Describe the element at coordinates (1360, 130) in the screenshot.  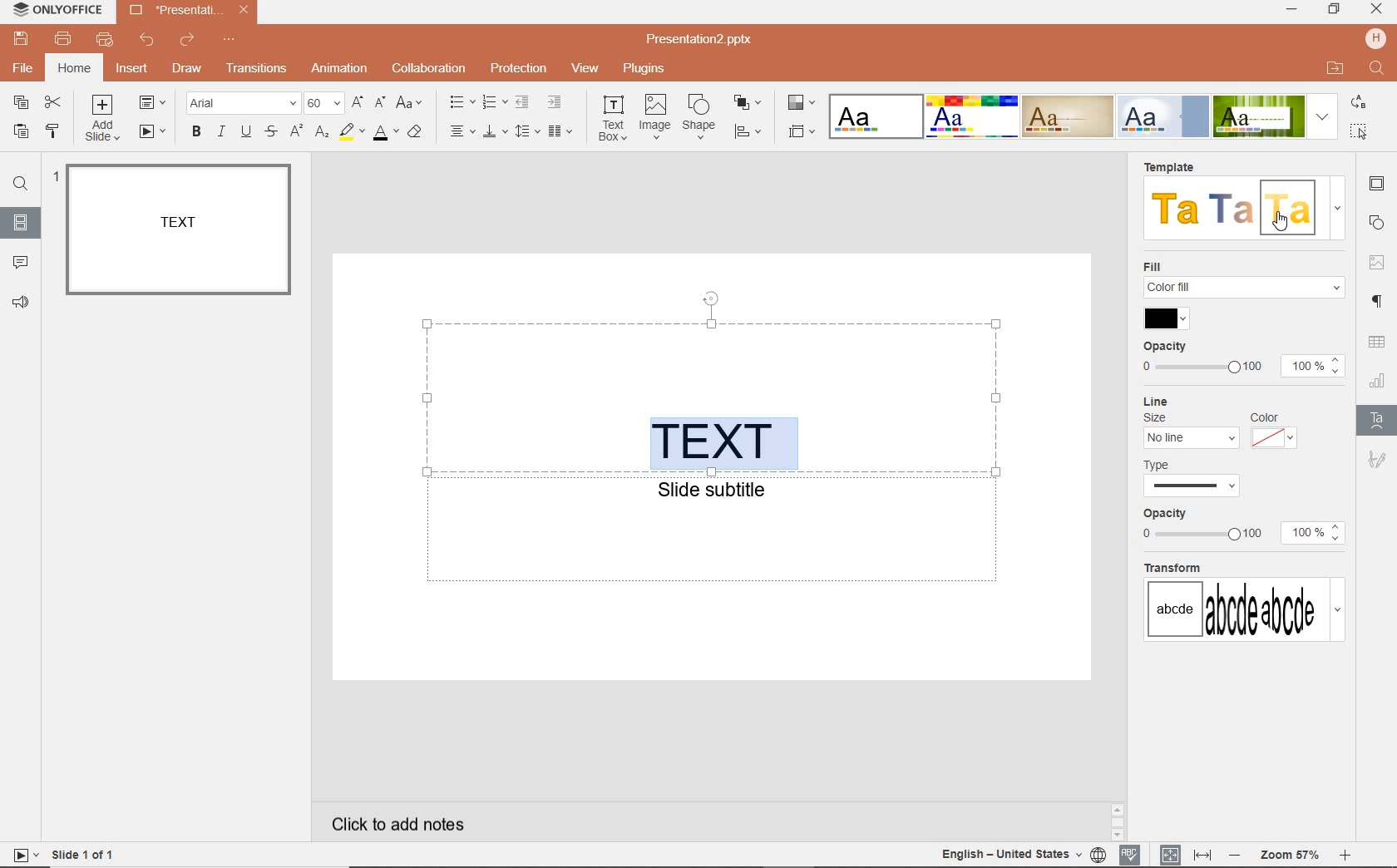
I see `select` at that location.